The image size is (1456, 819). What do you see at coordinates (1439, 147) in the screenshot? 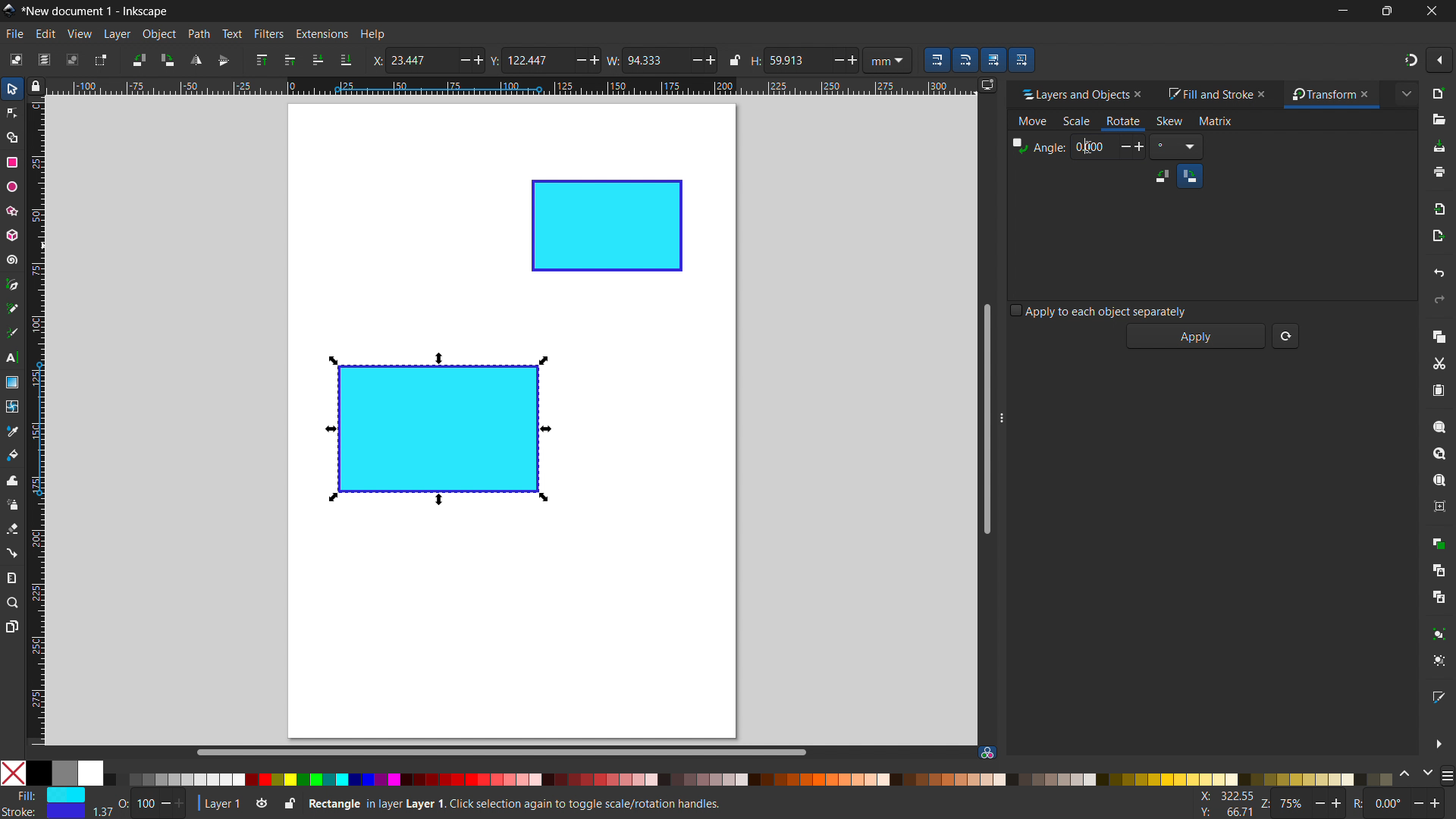
I see `save` at bounding box center [1439, 147].